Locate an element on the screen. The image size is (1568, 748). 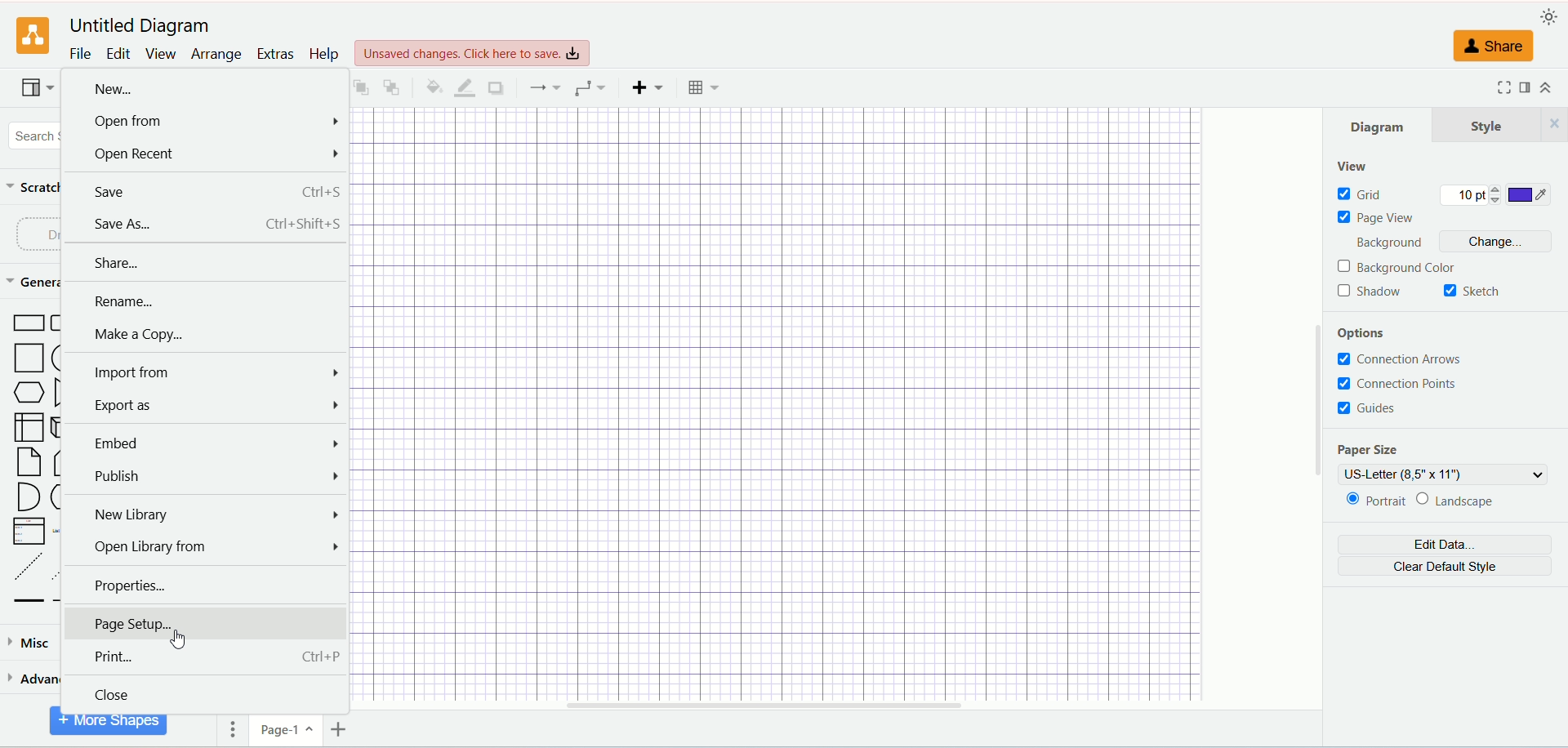
logo is located at coordinates (33, 37).